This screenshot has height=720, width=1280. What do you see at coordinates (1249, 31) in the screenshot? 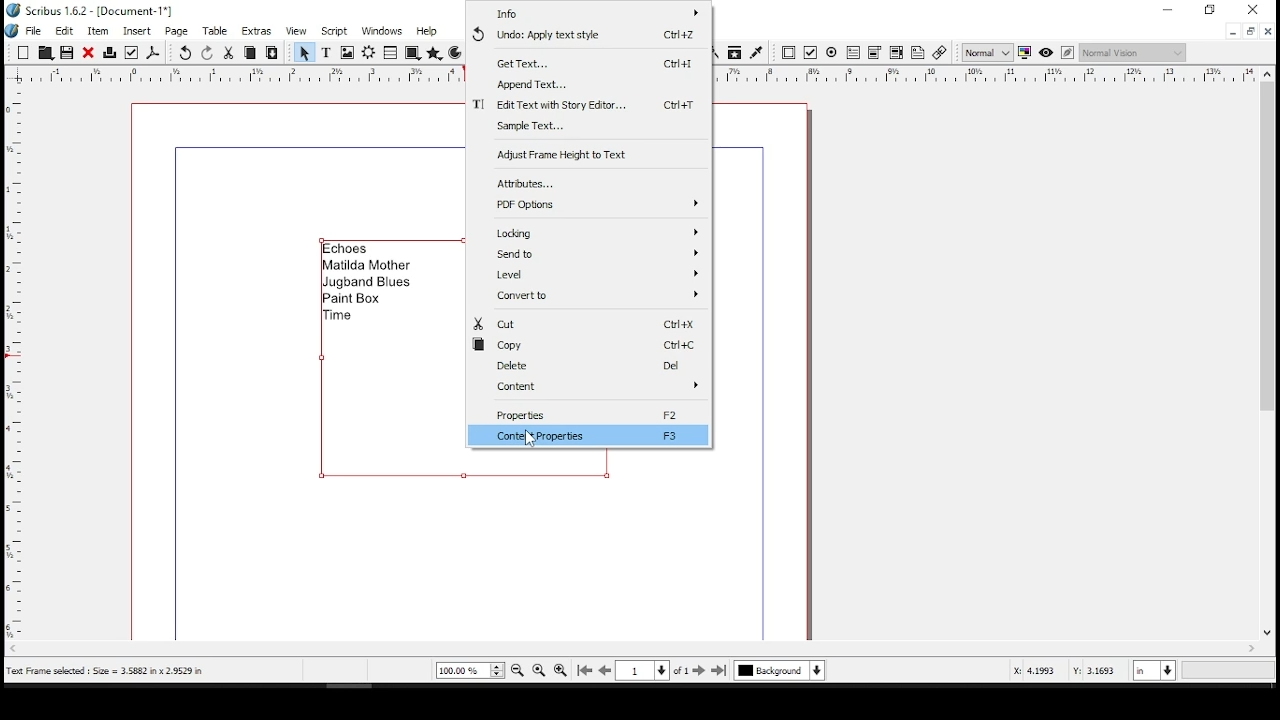
I see `restore` at bounding box center [1249, 31].